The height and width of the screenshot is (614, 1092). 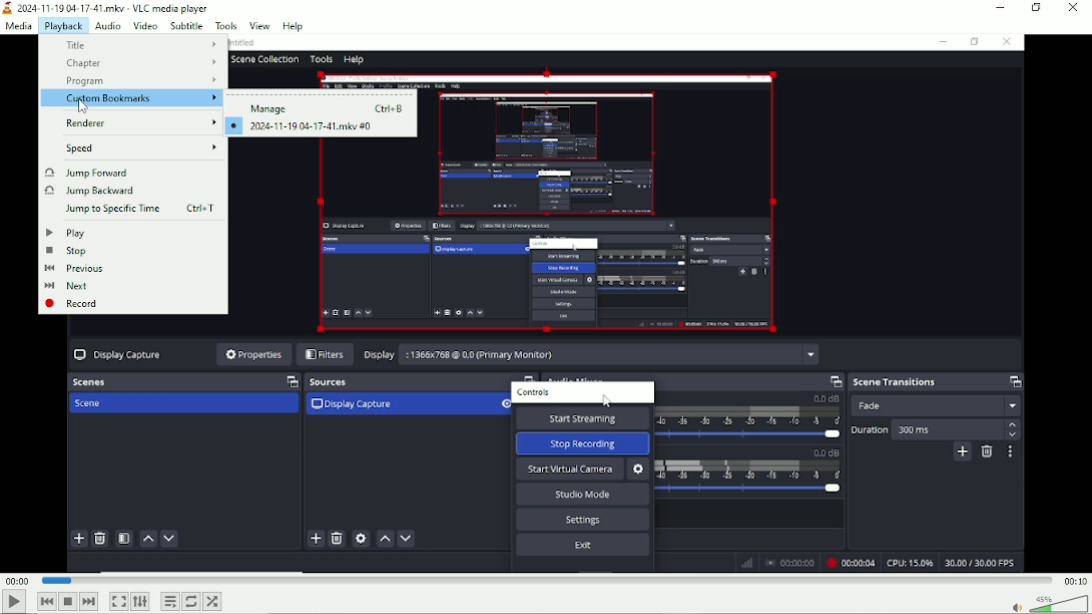 I want to click on View, so click(x=258, y=25).